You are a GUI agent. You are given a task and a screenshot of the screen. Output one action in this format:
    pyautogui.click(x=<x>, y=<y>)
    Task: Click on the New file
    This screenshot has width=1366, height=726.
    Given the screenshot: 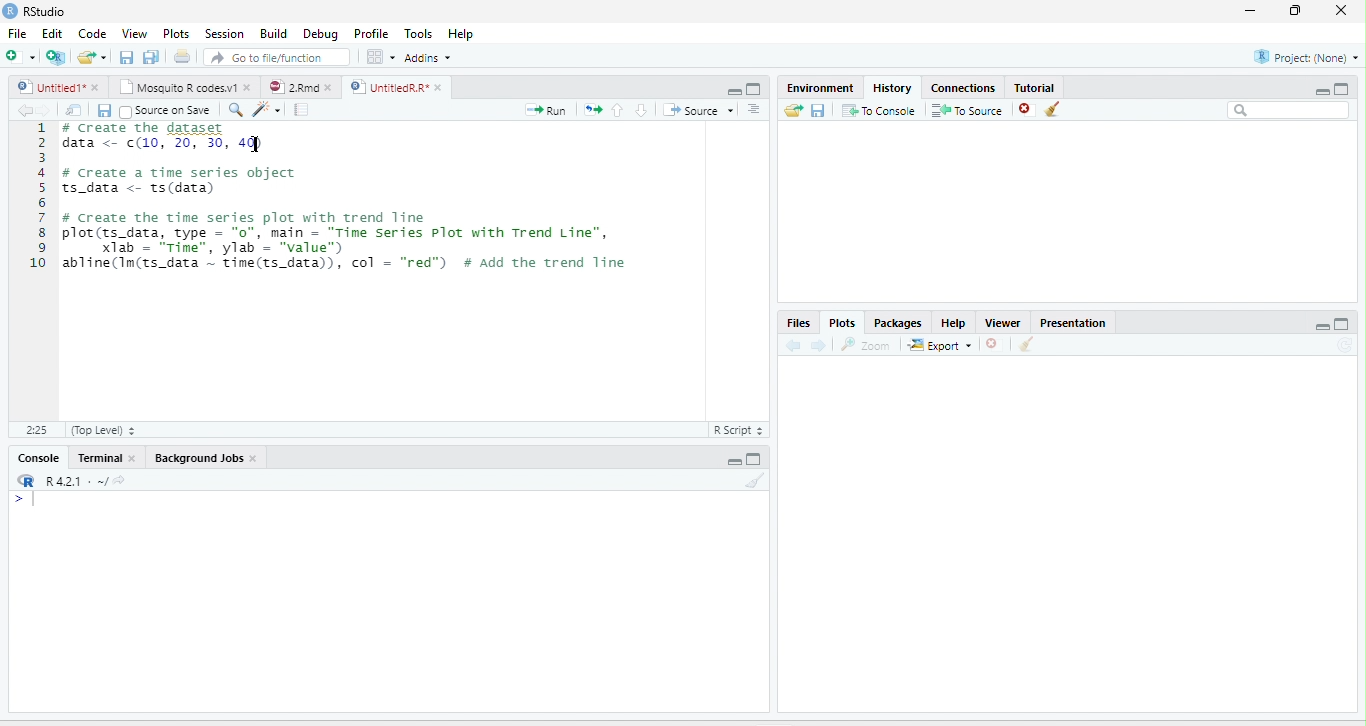 What is the action you would take?
    pyautogui.click(x=19, y=56)
    